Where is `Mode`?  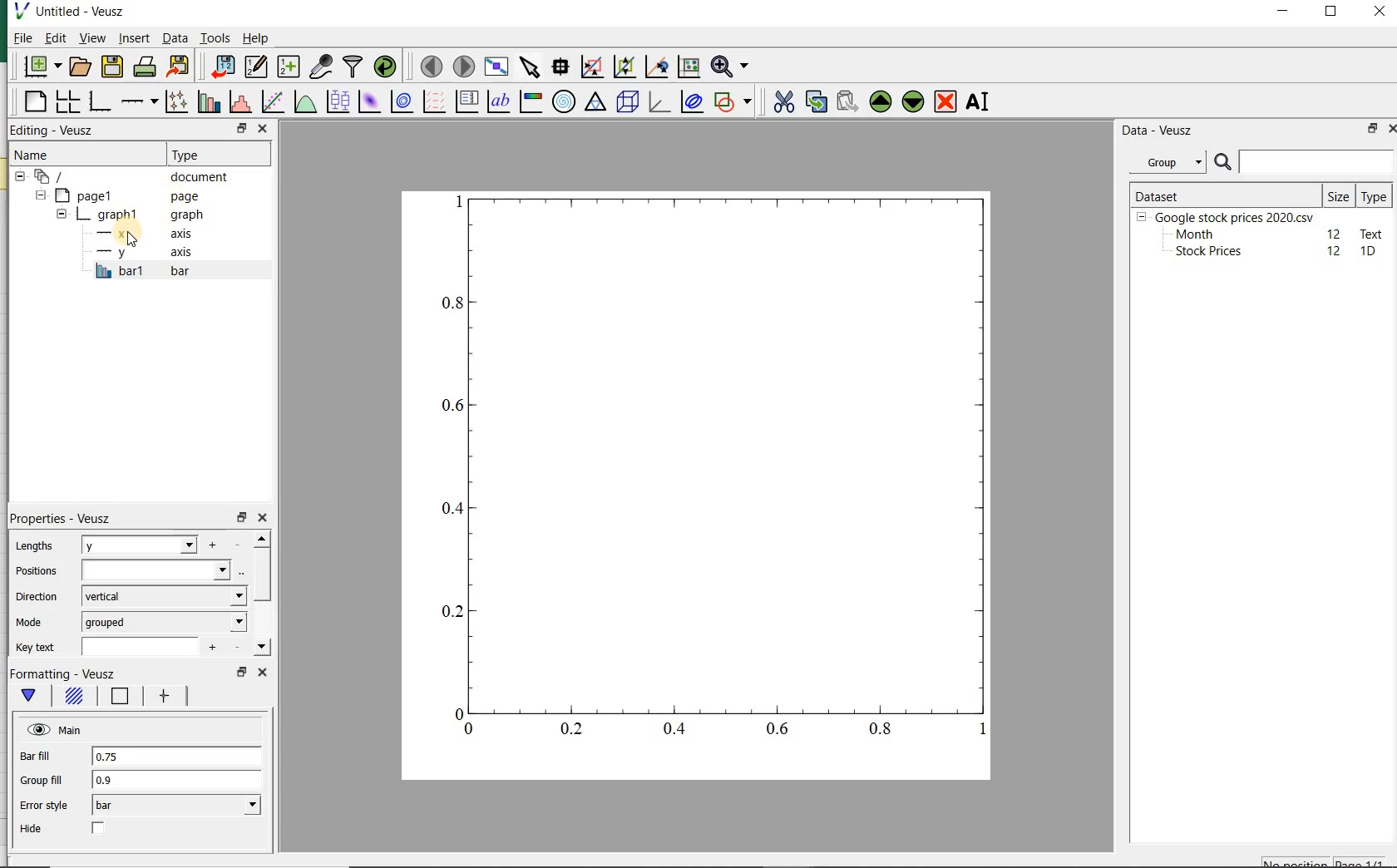
Mode is located at coordinates (28, 620).